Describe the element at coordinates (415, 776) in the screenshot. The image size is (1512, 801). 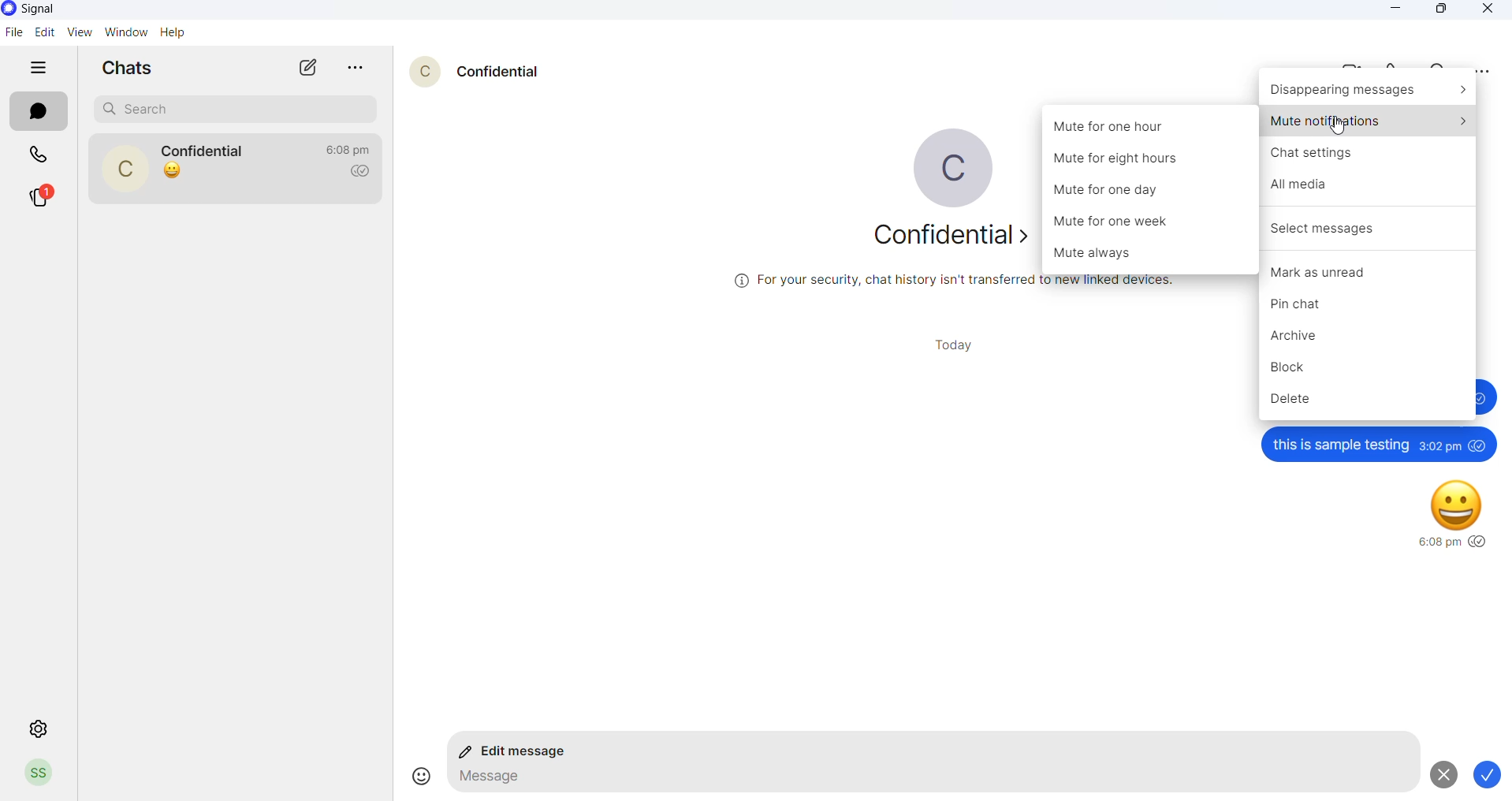
I see `emojis` at that location.